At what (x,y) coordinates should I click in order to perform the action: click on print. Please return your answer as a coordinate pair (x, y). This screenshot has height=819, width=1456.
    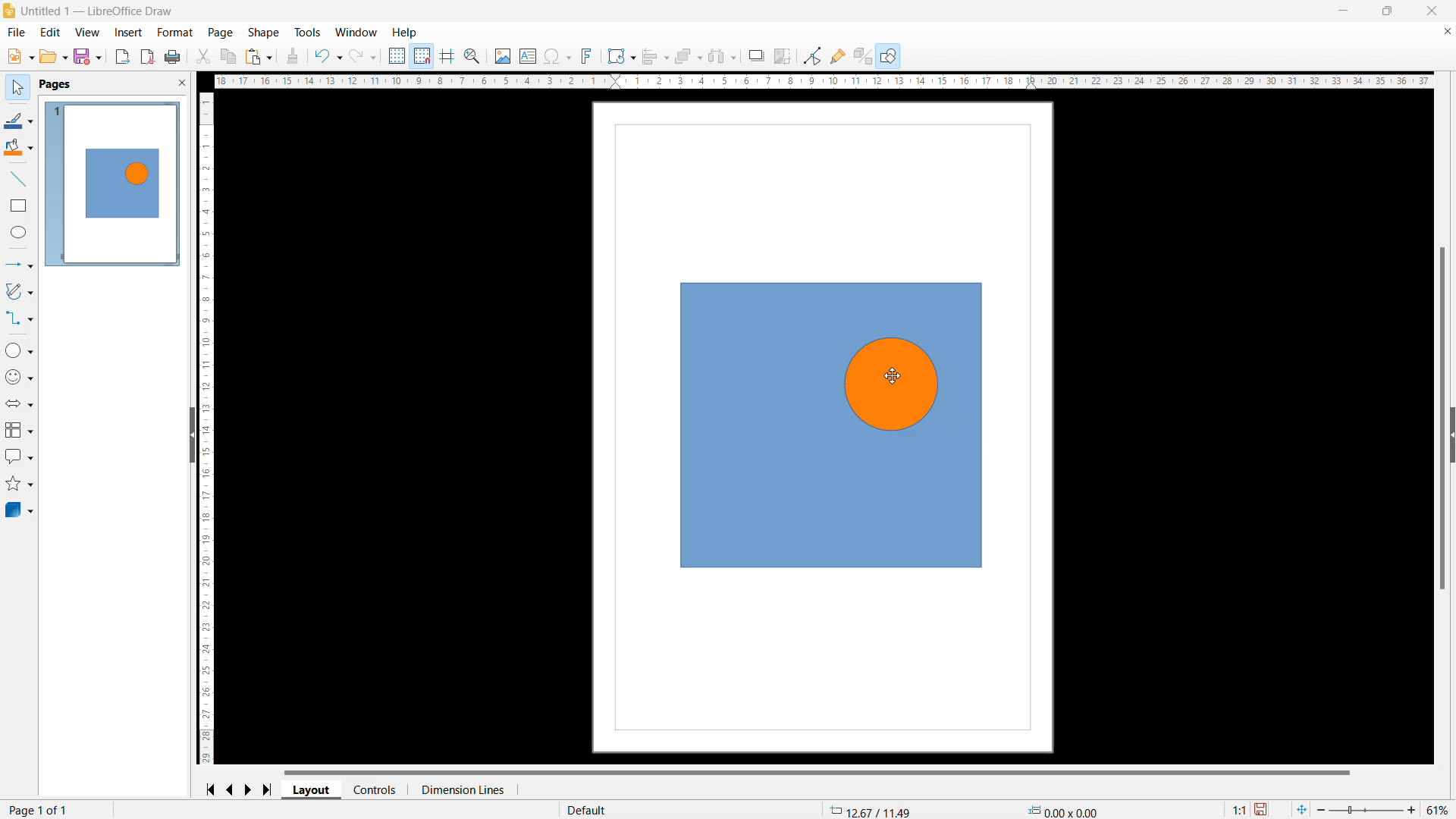
    Looking at the image, I should click on (172, 56).